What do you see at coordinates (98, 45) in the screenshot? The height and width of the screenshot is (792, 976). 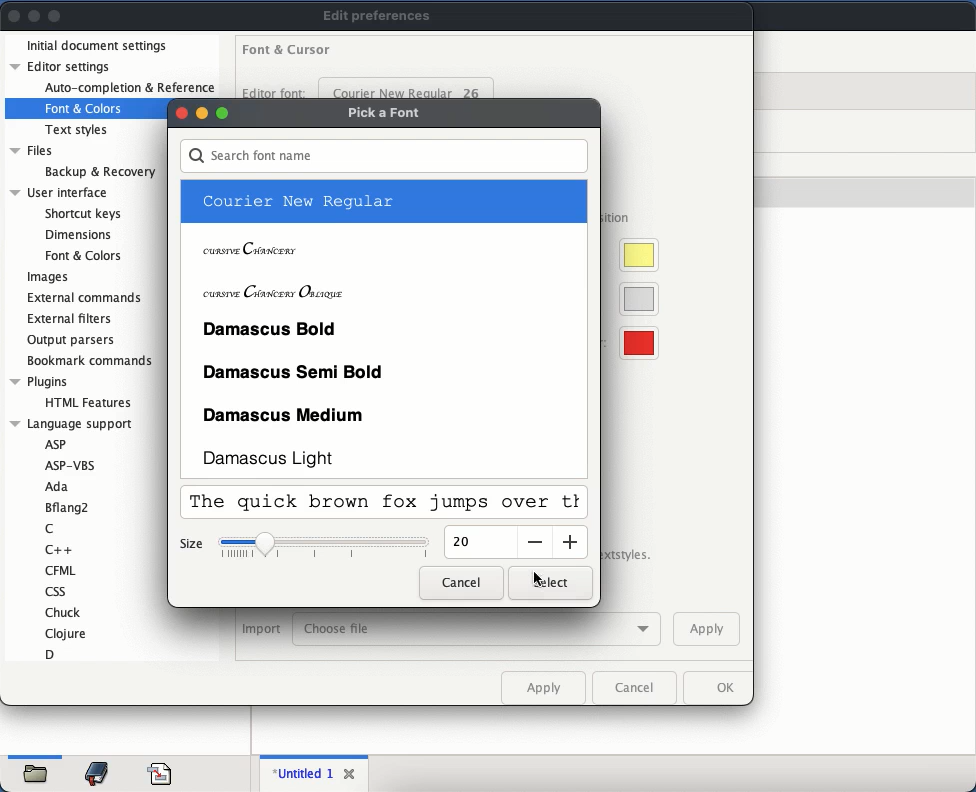 I see `initial document settings` at bounding box center [98, 45].